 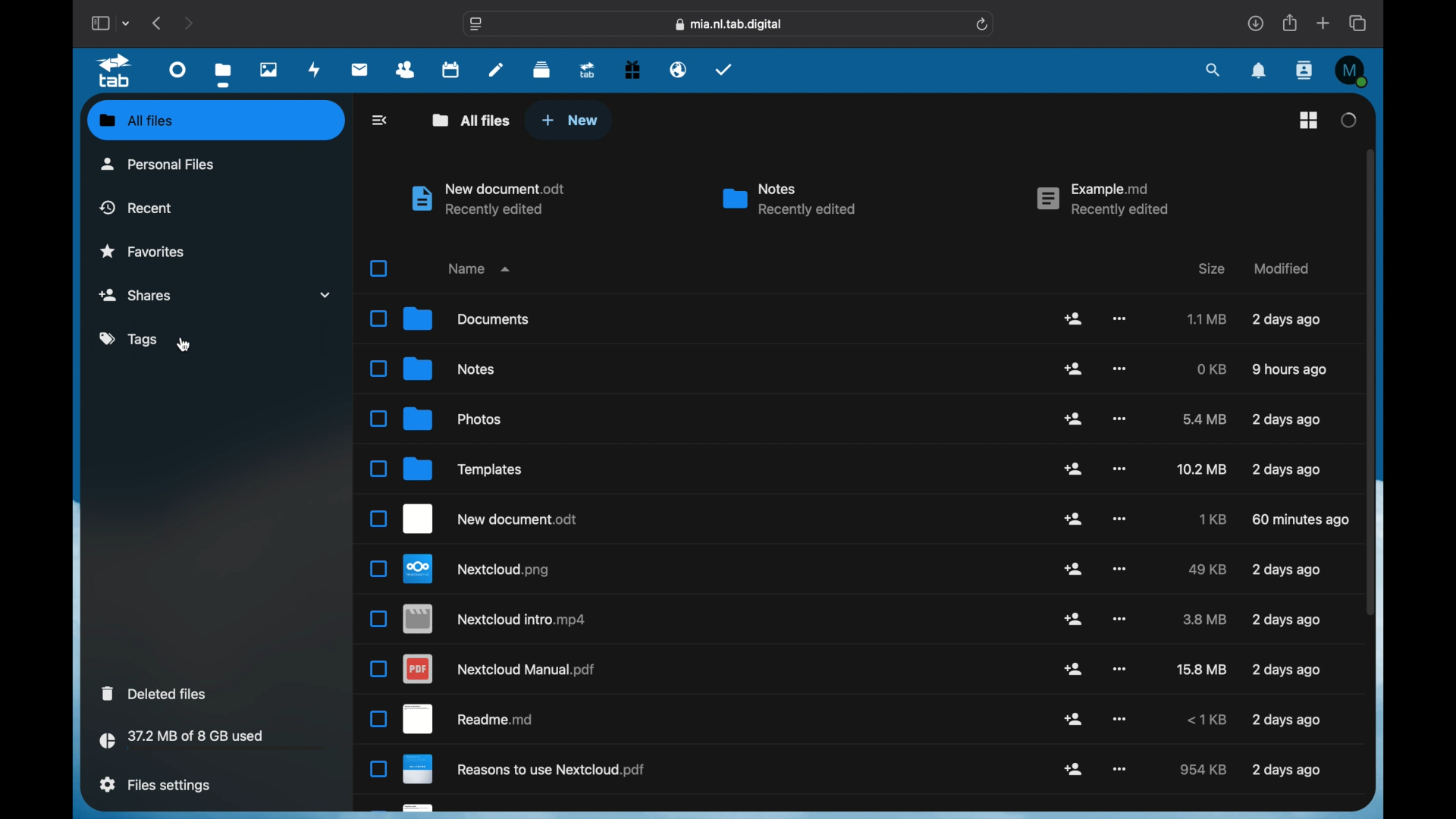 I want to click on size, so click(x=1201, y=769).